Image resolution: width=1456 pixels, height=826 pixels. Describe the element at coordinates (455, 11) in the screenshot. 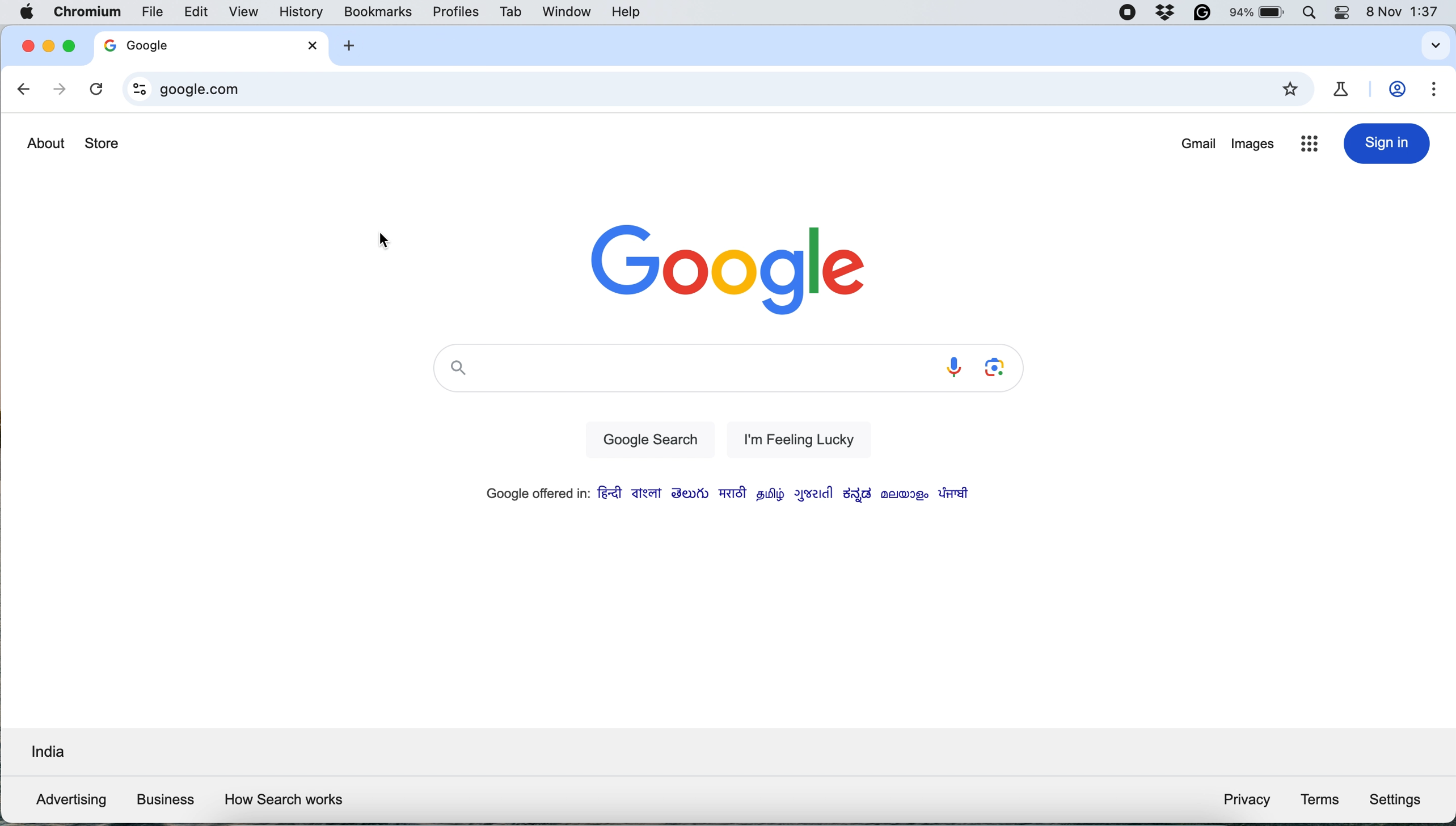

I see `profiles` at that location.